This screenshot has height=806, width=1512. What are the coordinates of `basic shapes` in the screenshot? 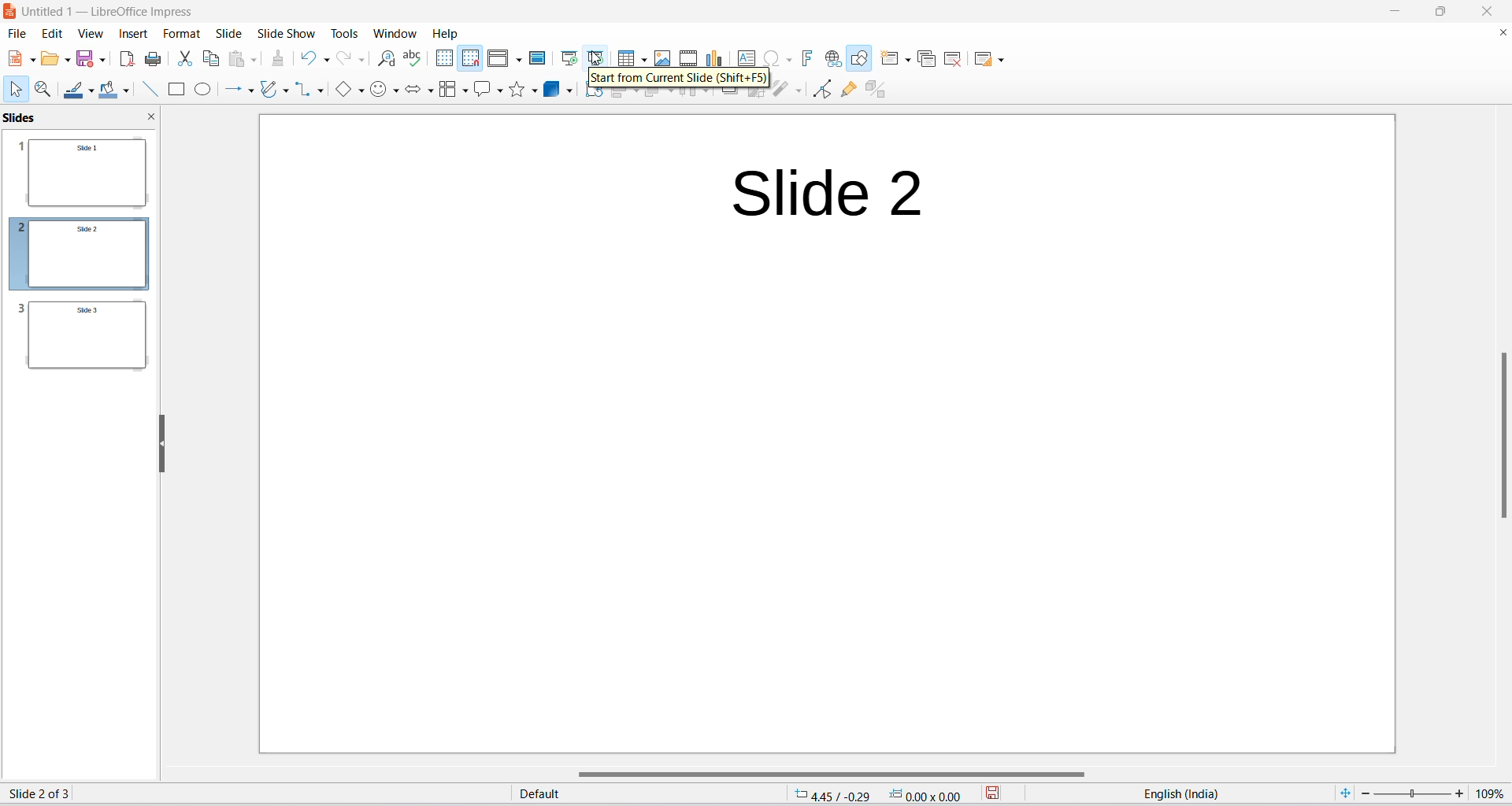 It's located at (365, 91).